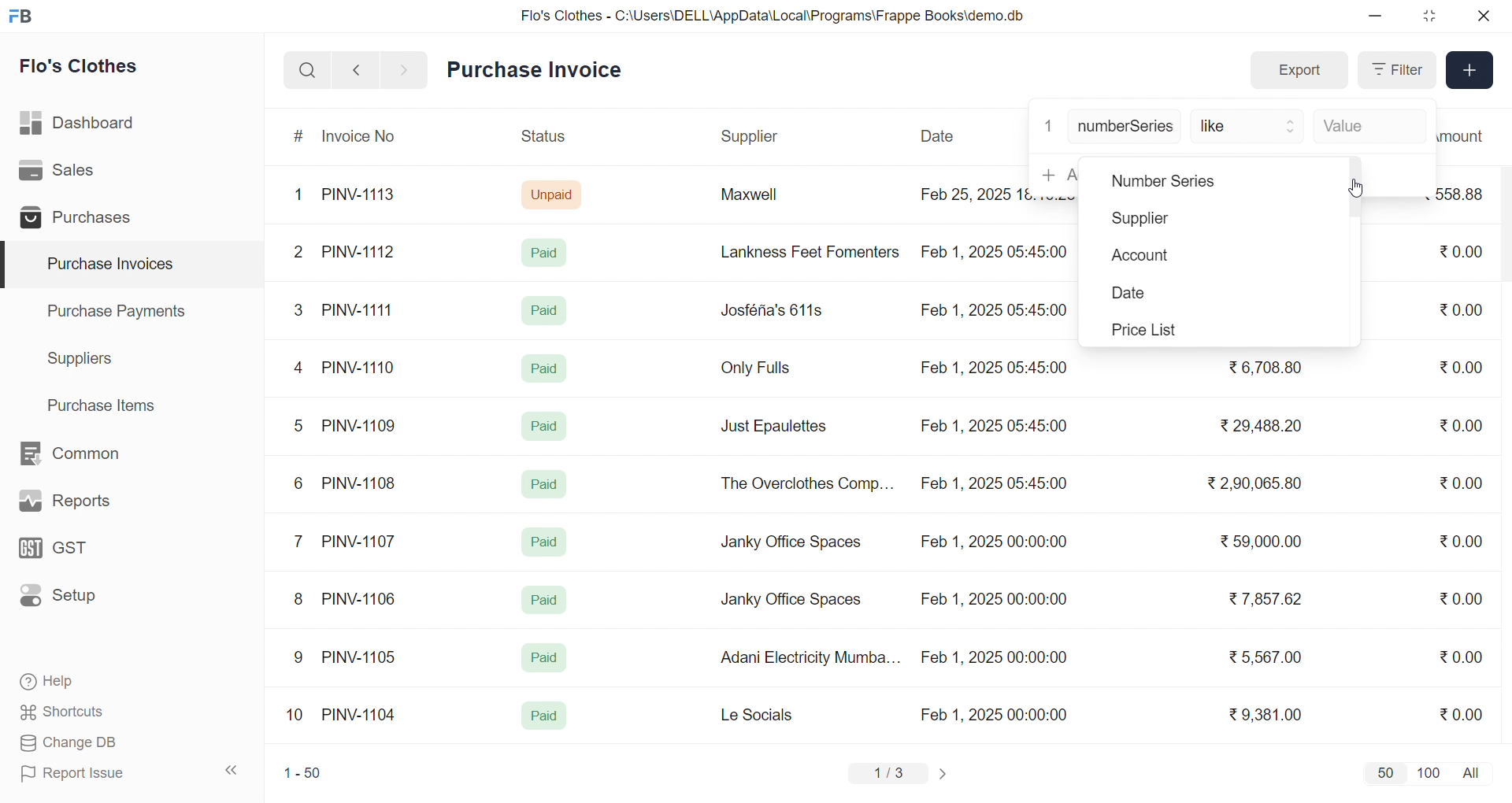 Image resolution: width=1512 pixels, height=803 pixels. Describe the element at coordinates (996, 485) in the screenshot. I see `Feb 1, 2025 05:45:00` at that location.